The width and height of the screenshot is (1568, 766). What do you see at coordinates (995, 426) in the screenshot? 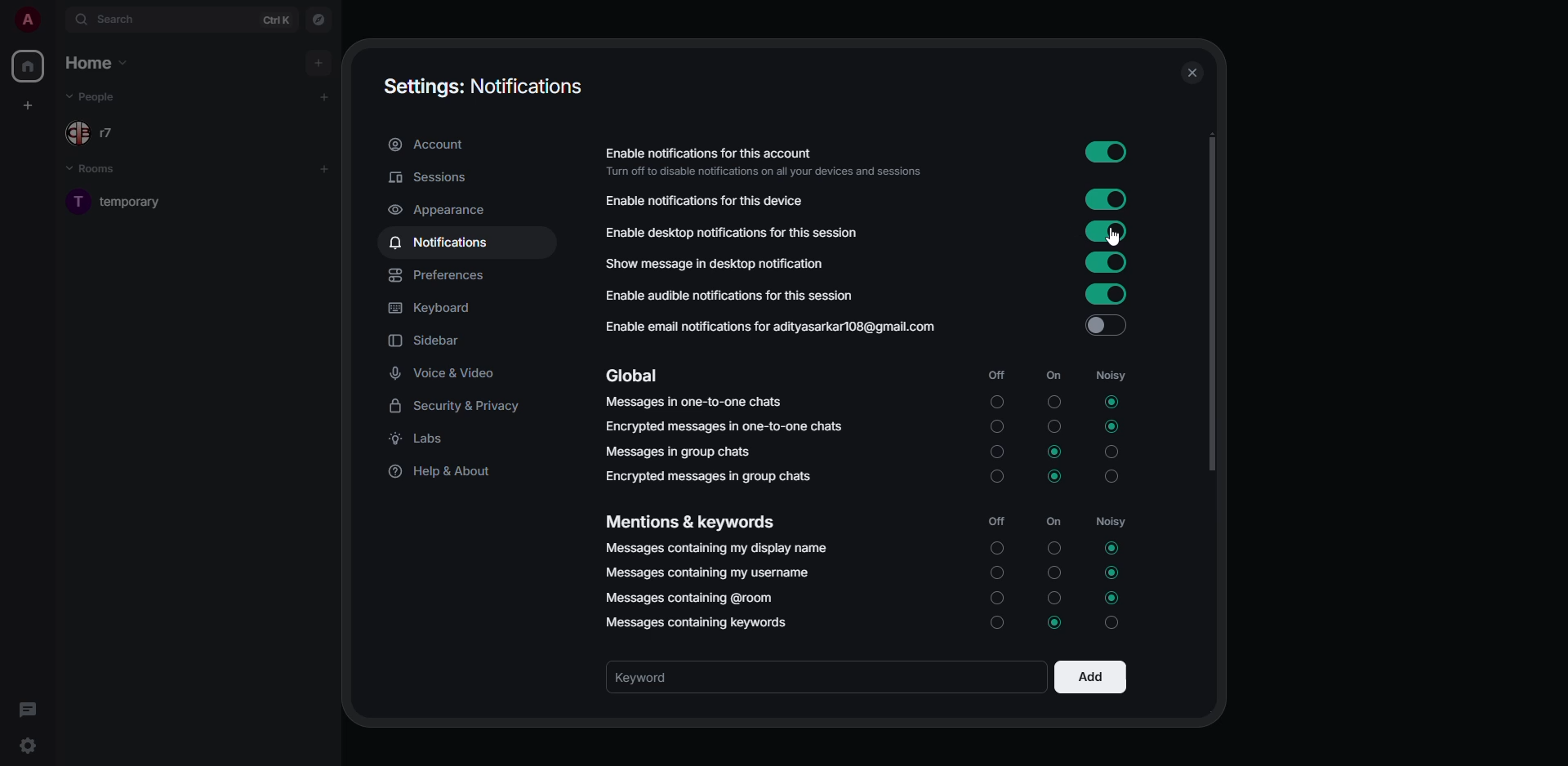
I see `Off Unselected` at bounding box center [995, 426].